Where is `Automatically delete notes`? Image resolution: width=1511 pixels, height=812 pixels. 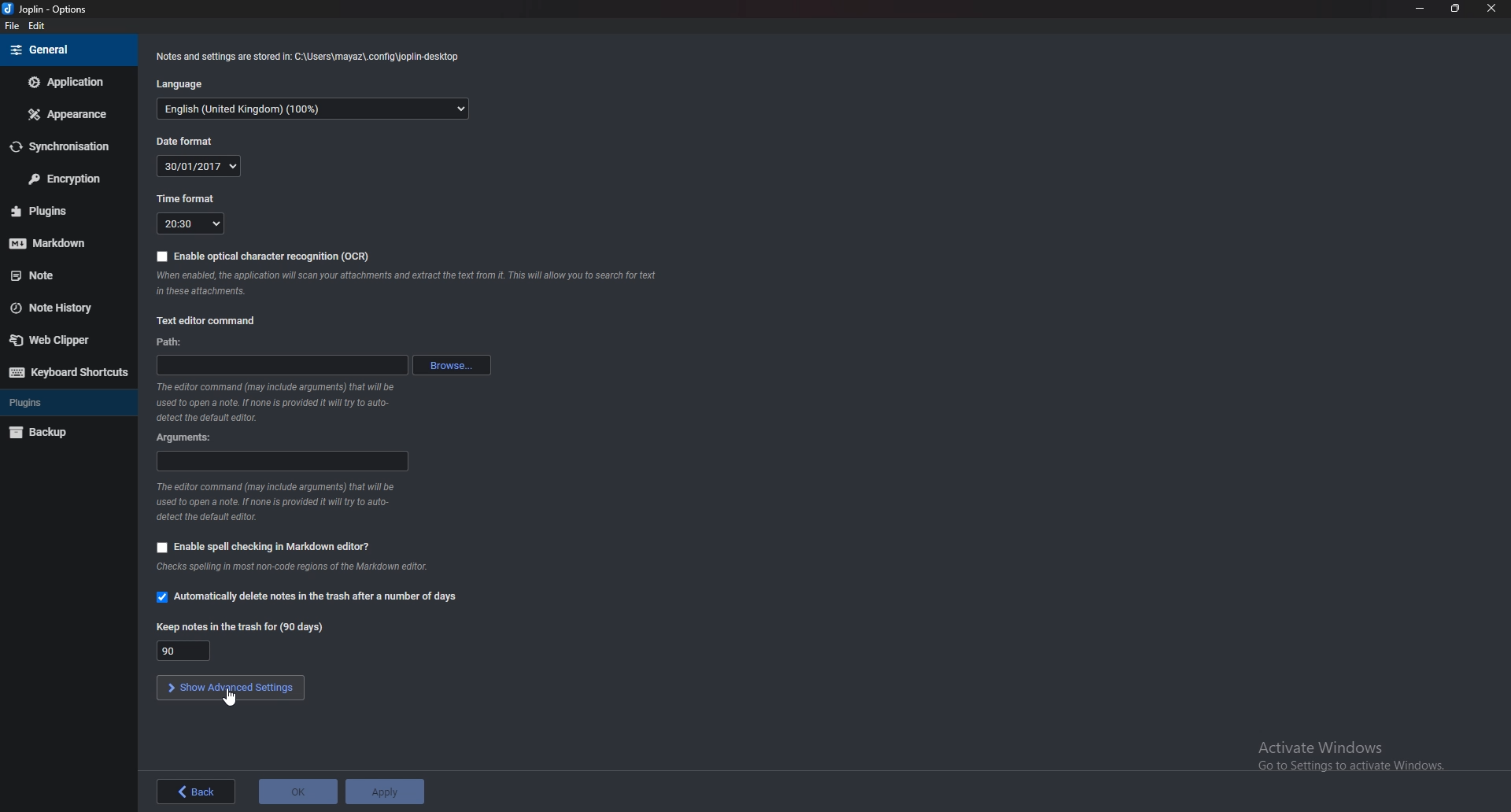
Automatically delete notes is located at coordinates (308, 596).